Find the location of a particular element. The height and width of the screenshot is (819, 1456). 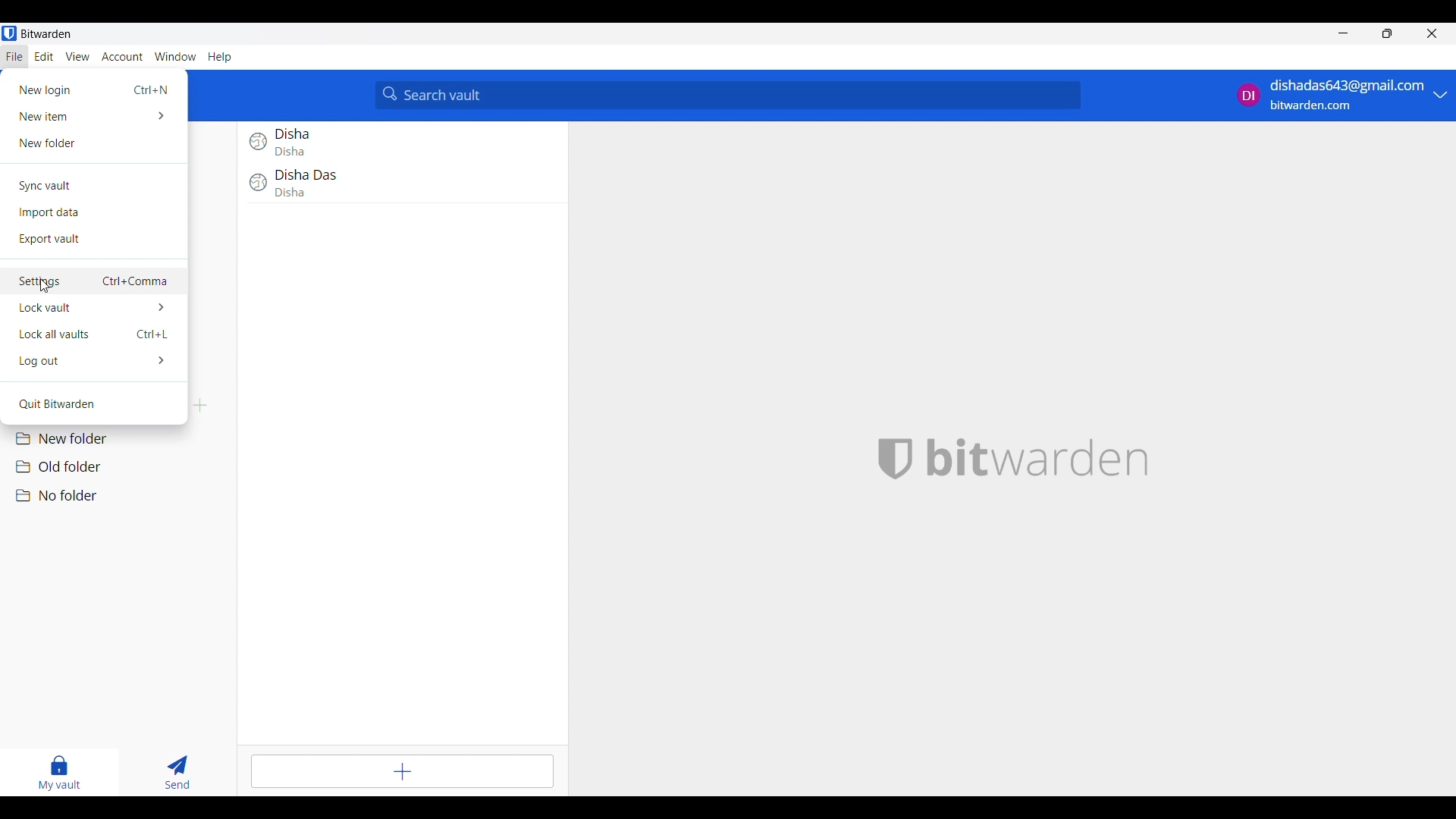

File menu is located at coordinates (14, 57).